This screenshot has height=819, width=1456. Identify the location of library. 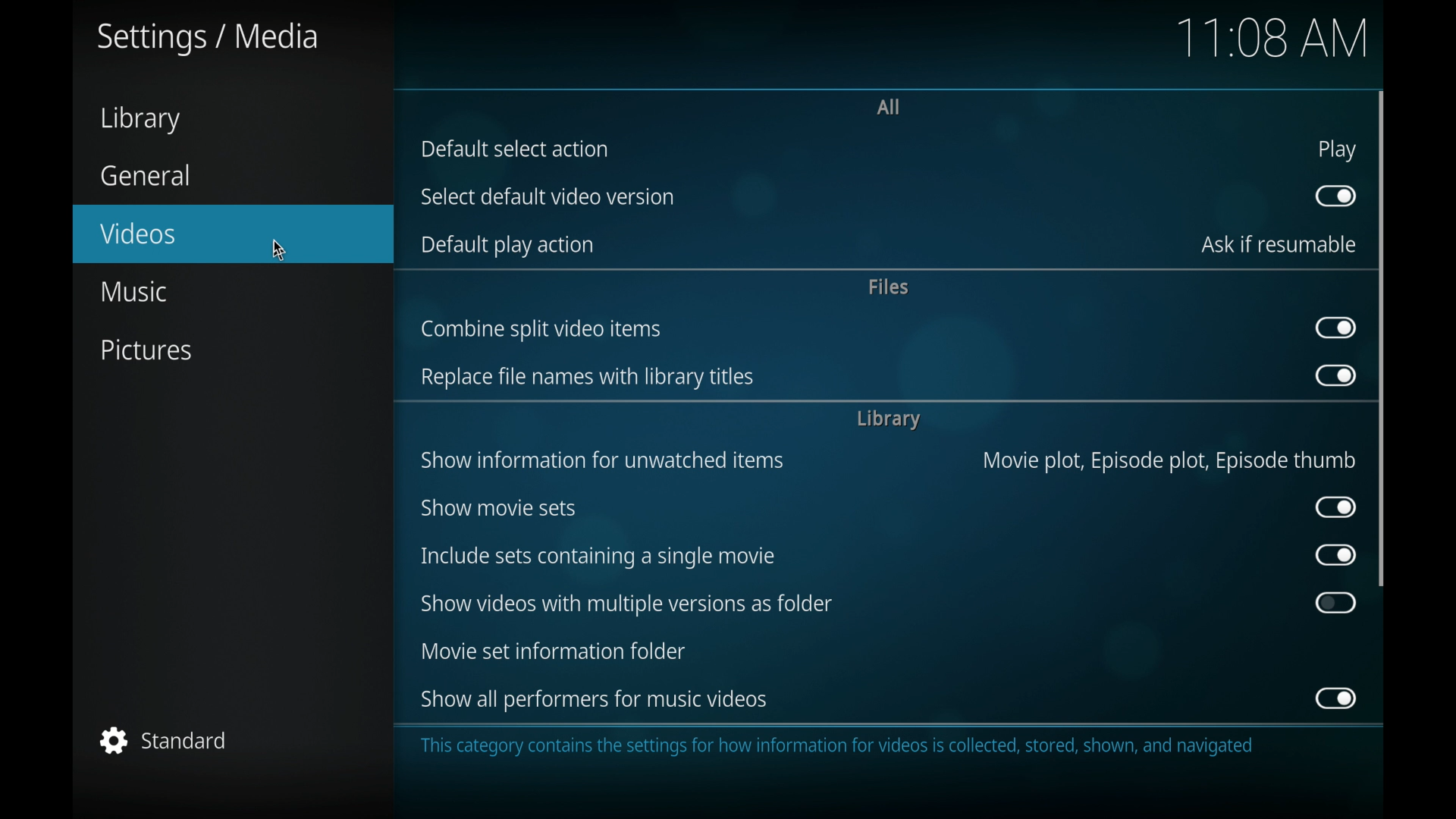
(888, 419).